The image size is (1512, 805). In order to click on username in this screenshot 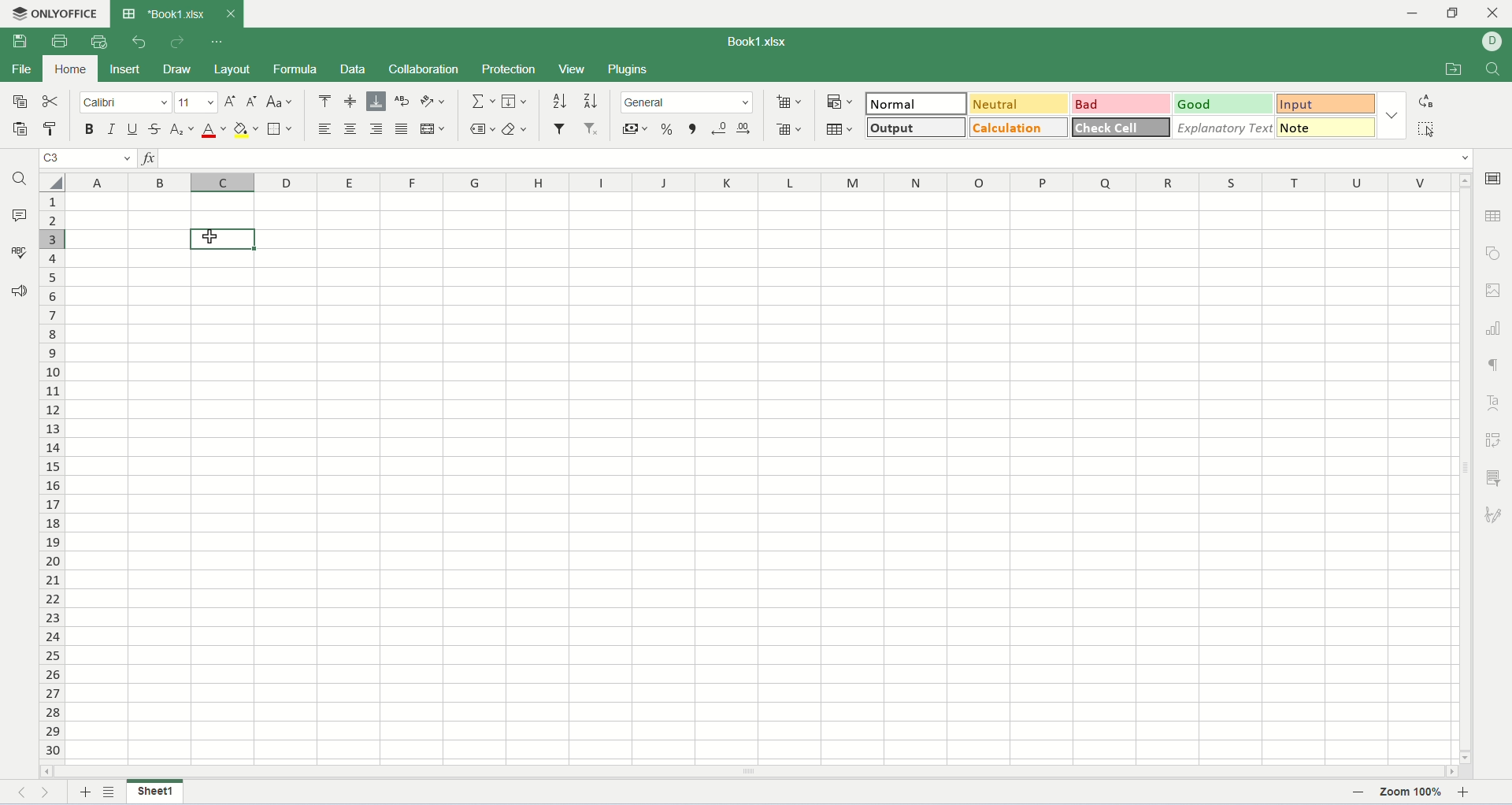, I will do `click(1493, 42)`.